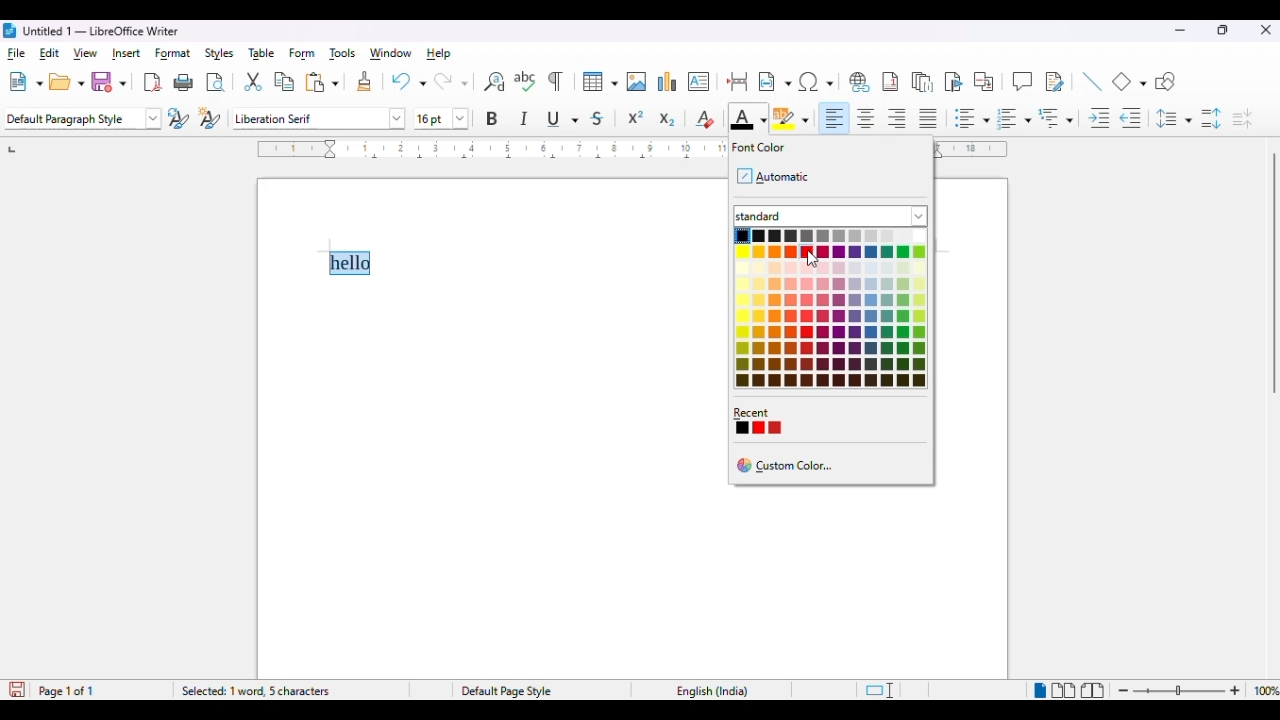 The height and width of the screenshot is (720, 1280). What do you see at coordinates (698, 81) in the screenshot?
I see `insert text box` at bounding box center [698, 81].